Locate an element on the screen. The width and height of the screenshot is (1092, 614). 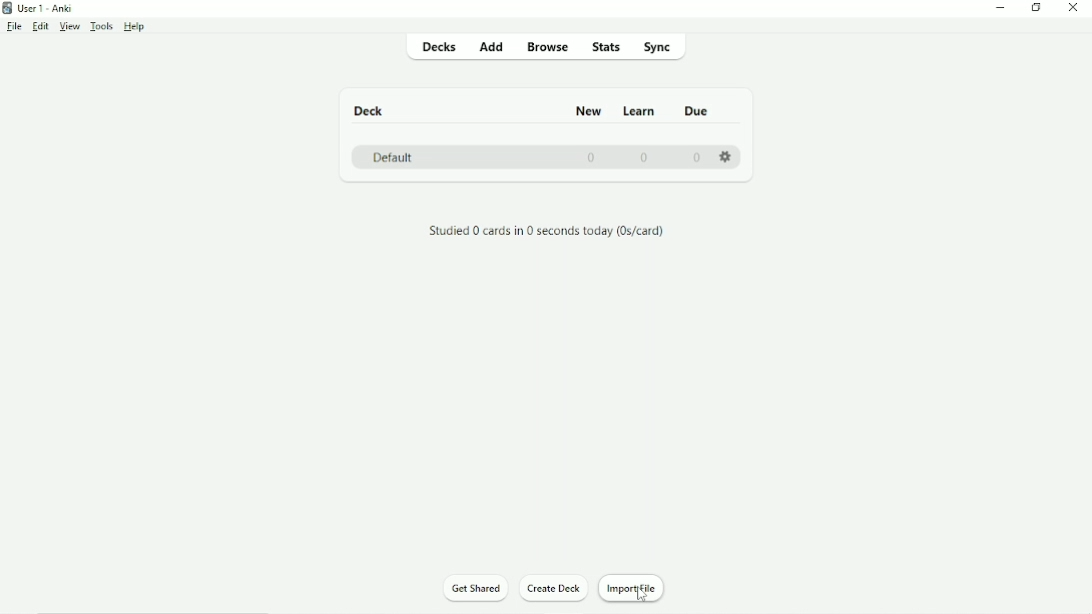
0 is located at coordinates (591, 158).